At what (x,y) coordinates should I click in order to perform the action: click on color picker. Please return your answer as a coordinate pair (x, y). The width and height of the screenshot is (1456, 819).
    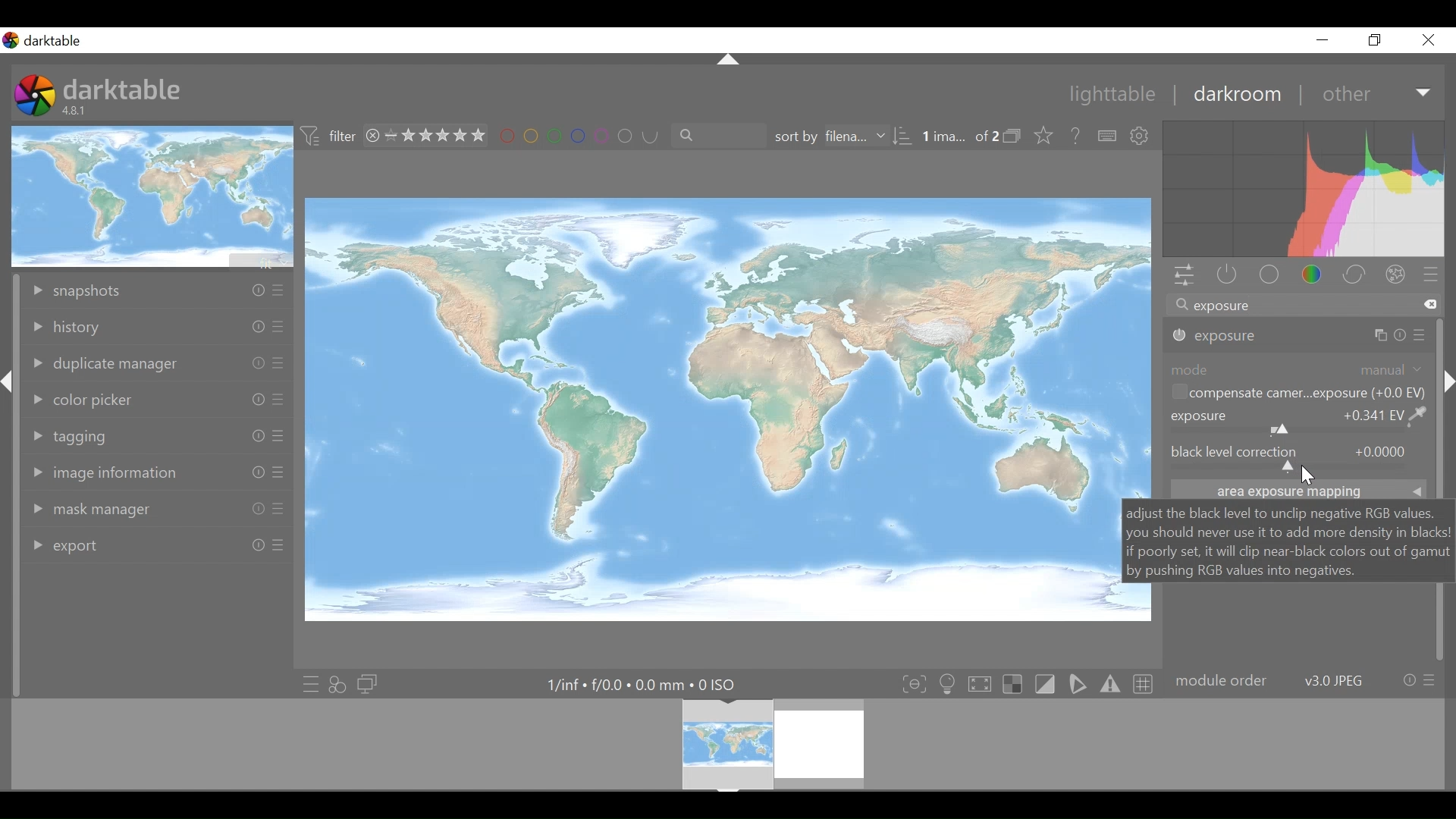
    Looking at the image, I should click on (158, 400).